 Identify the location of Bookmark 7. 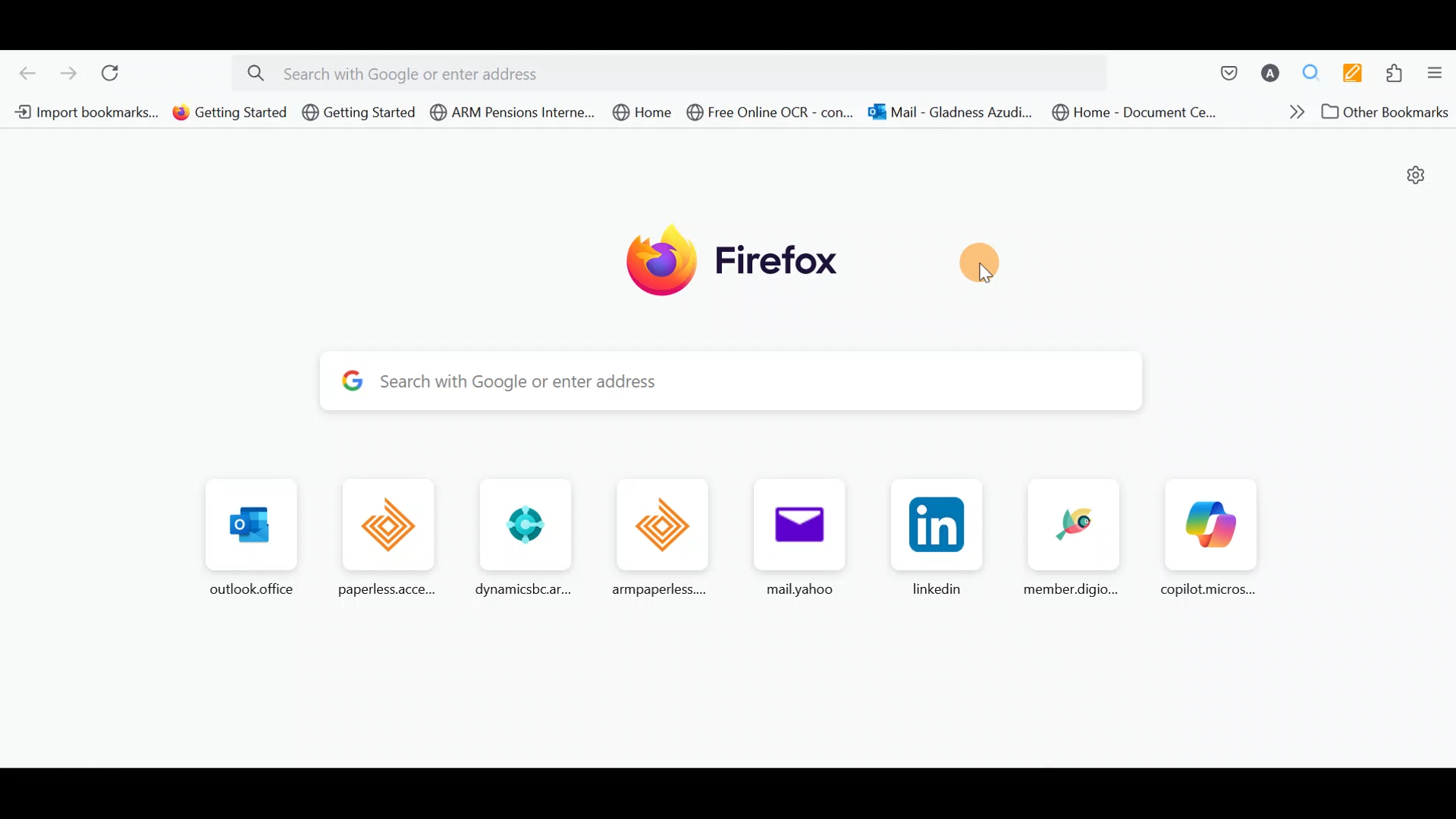
(952, 111).